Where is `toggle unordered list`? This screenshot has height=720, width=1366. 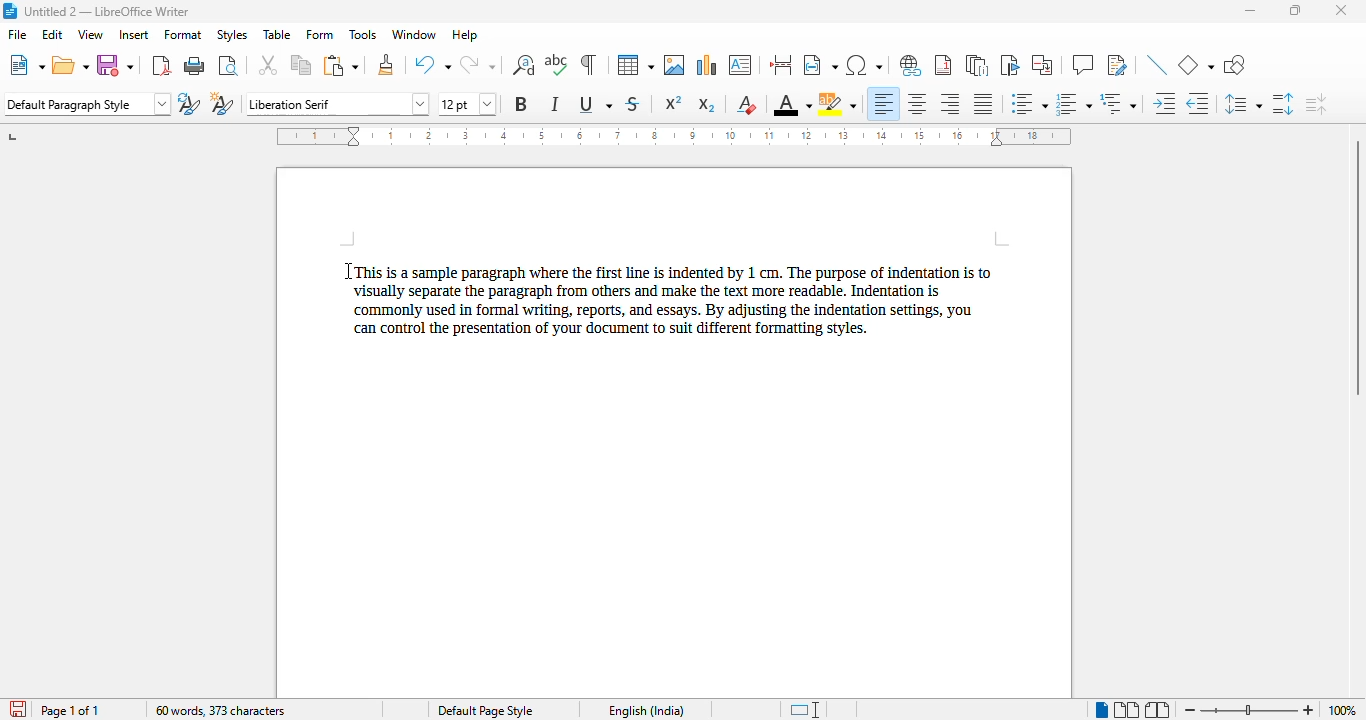
toggle unordered list is located at coordinates (1030, 103).